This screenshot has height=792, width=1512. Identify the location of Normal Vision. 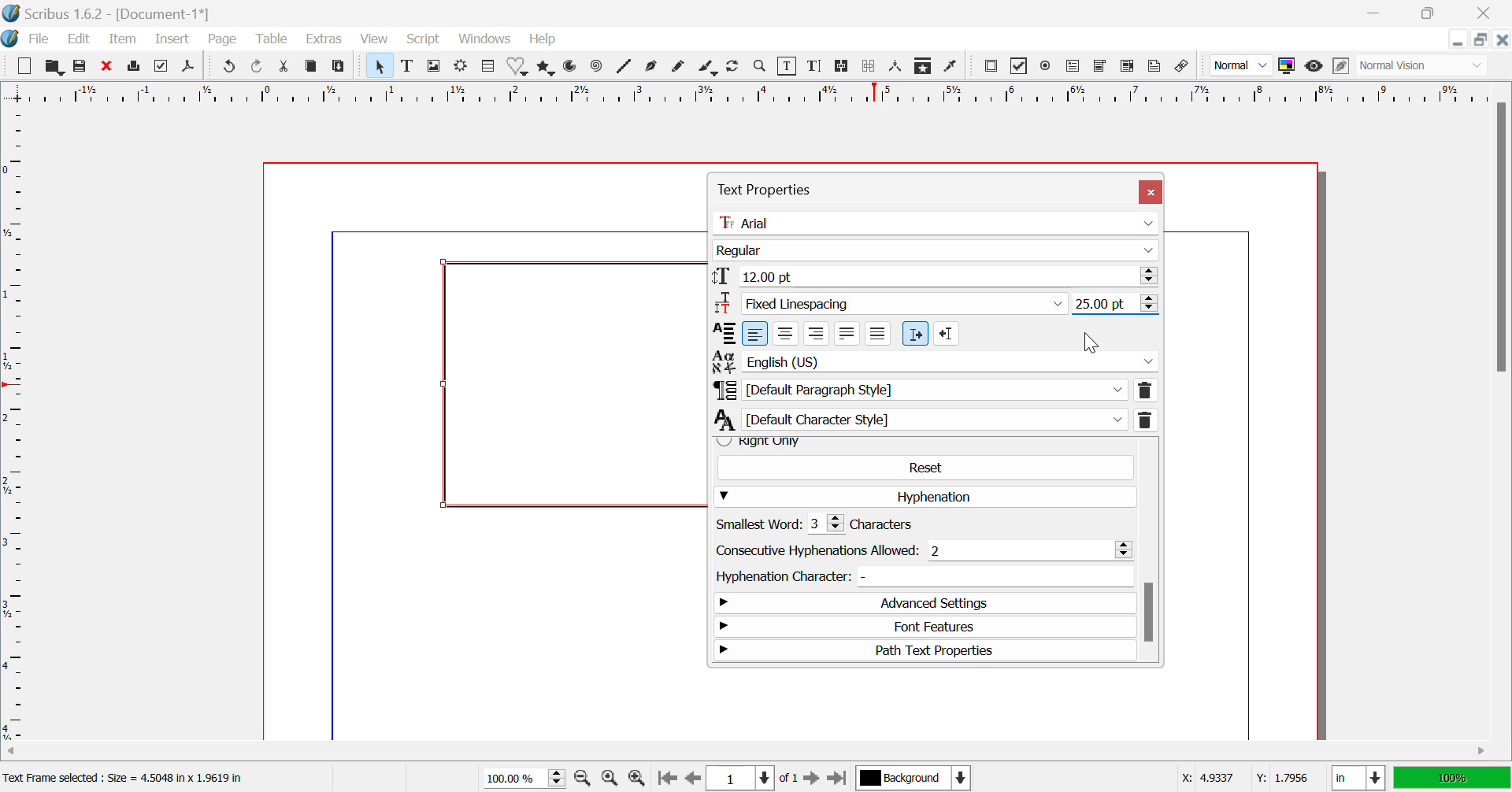
(1424, 68).